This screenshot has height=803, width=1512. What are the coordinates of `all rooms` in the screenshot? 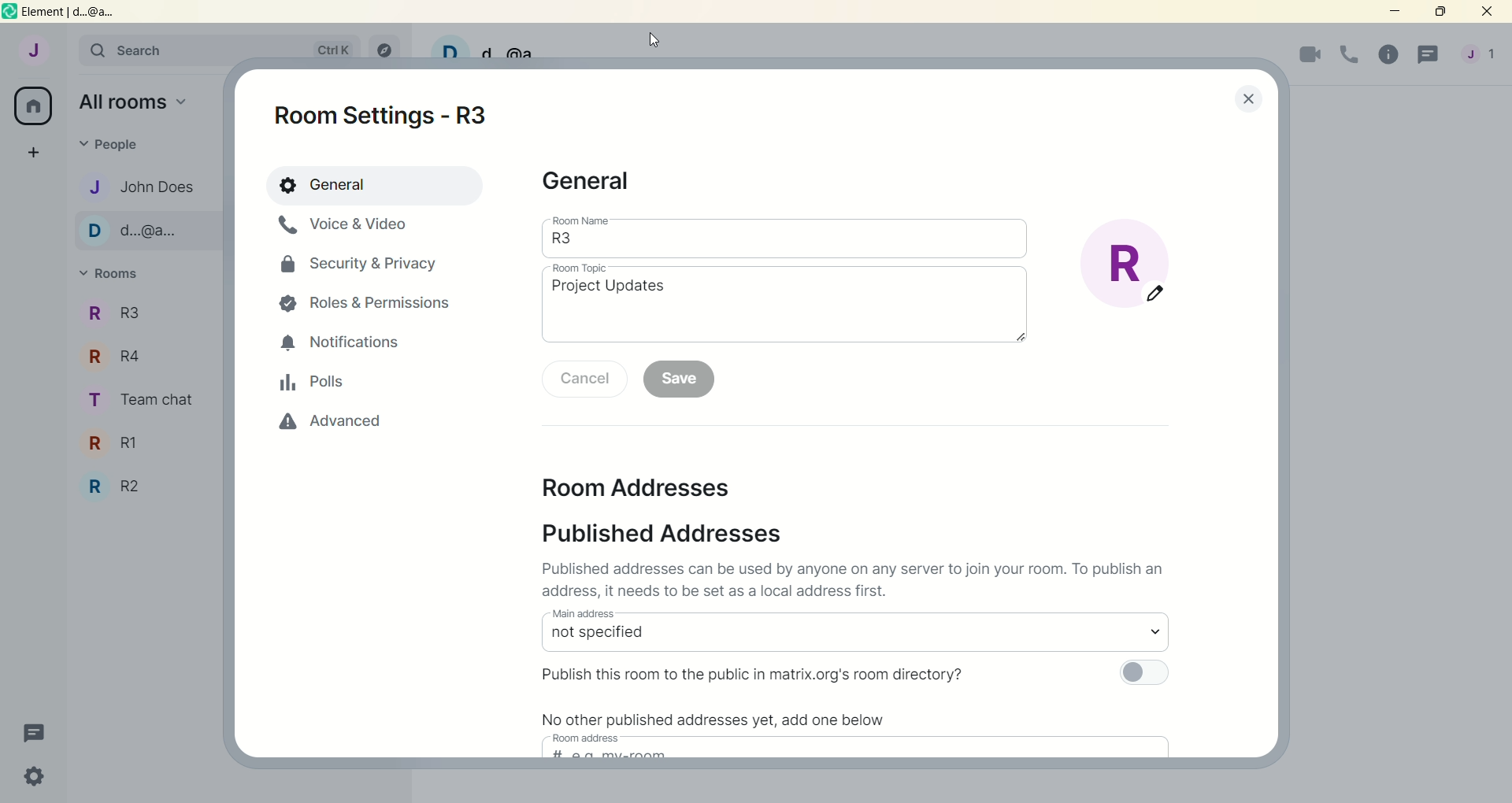 It's located at (35, 105).